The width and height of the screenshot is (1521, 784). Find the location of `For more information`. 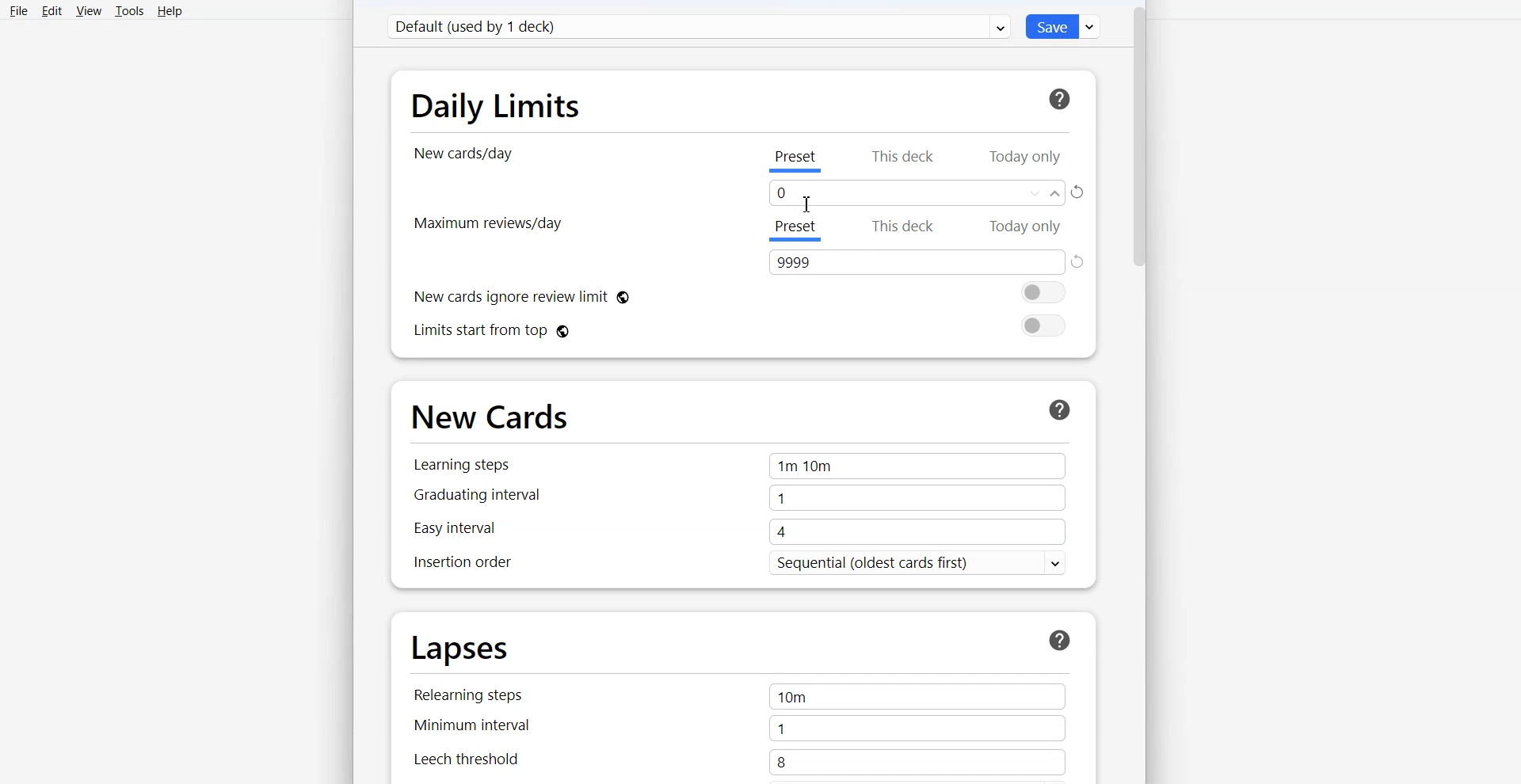

For more information is located at coordinates (1058, 97).